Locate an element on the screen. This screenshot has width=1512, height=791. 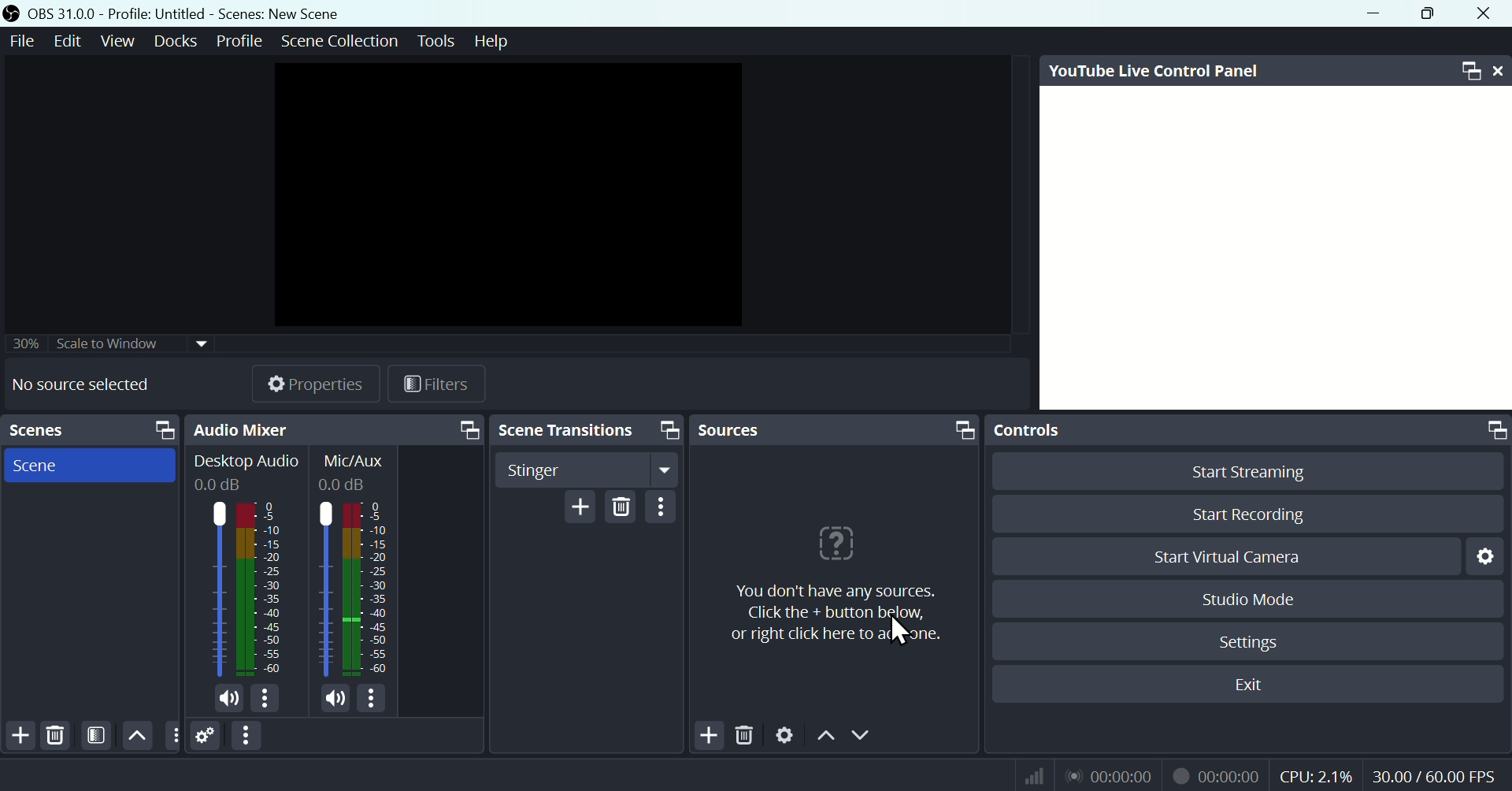
Scene collection is located at coordinates (343, 43).